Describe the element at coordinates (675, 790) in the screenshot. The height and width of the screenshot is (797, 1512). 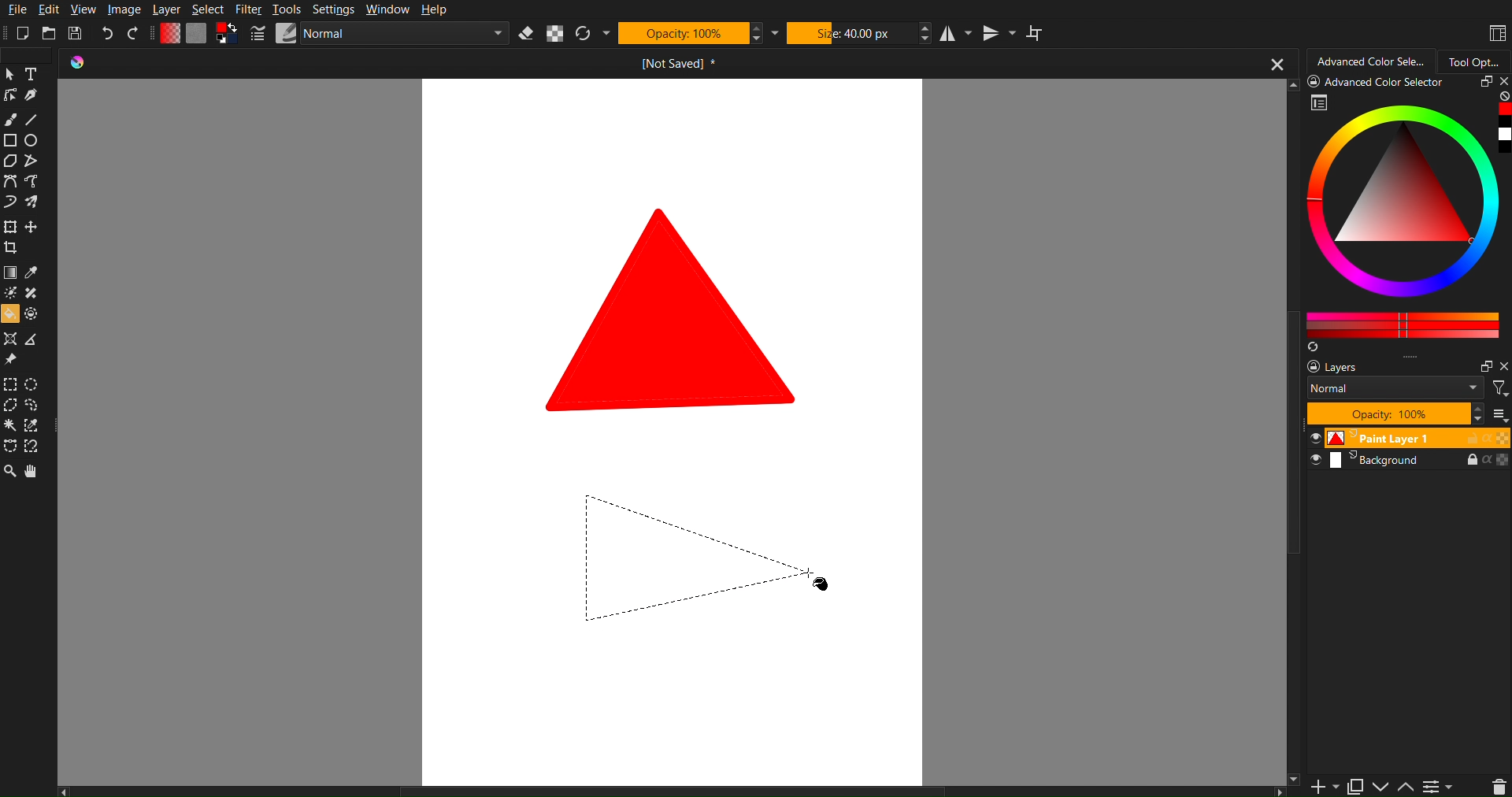
I see `Horizontal Scrollbar` at that location.